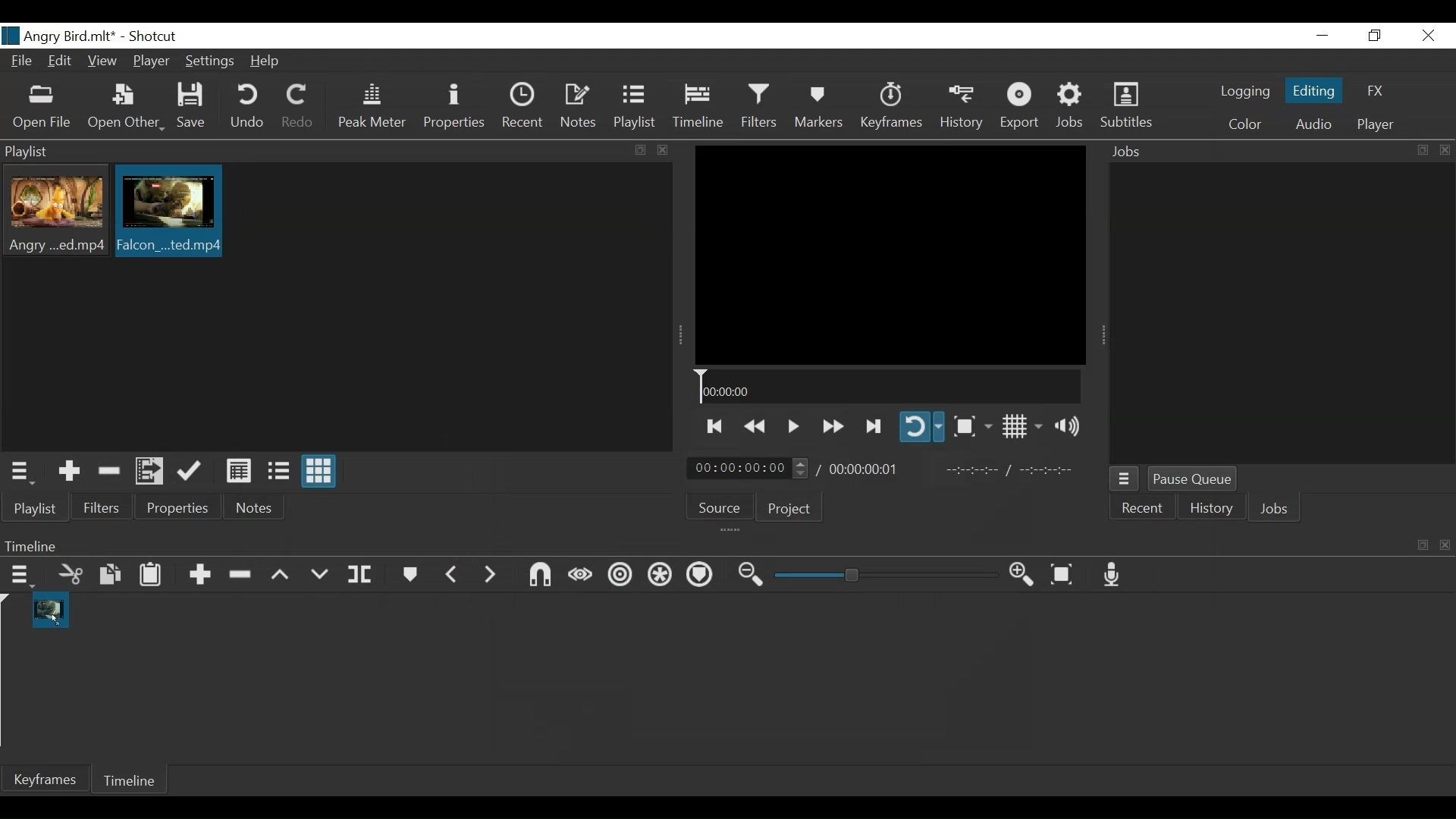 The height and width of the screenshot is (819, 1456). I want to click on Open Other, so click(126, 107).